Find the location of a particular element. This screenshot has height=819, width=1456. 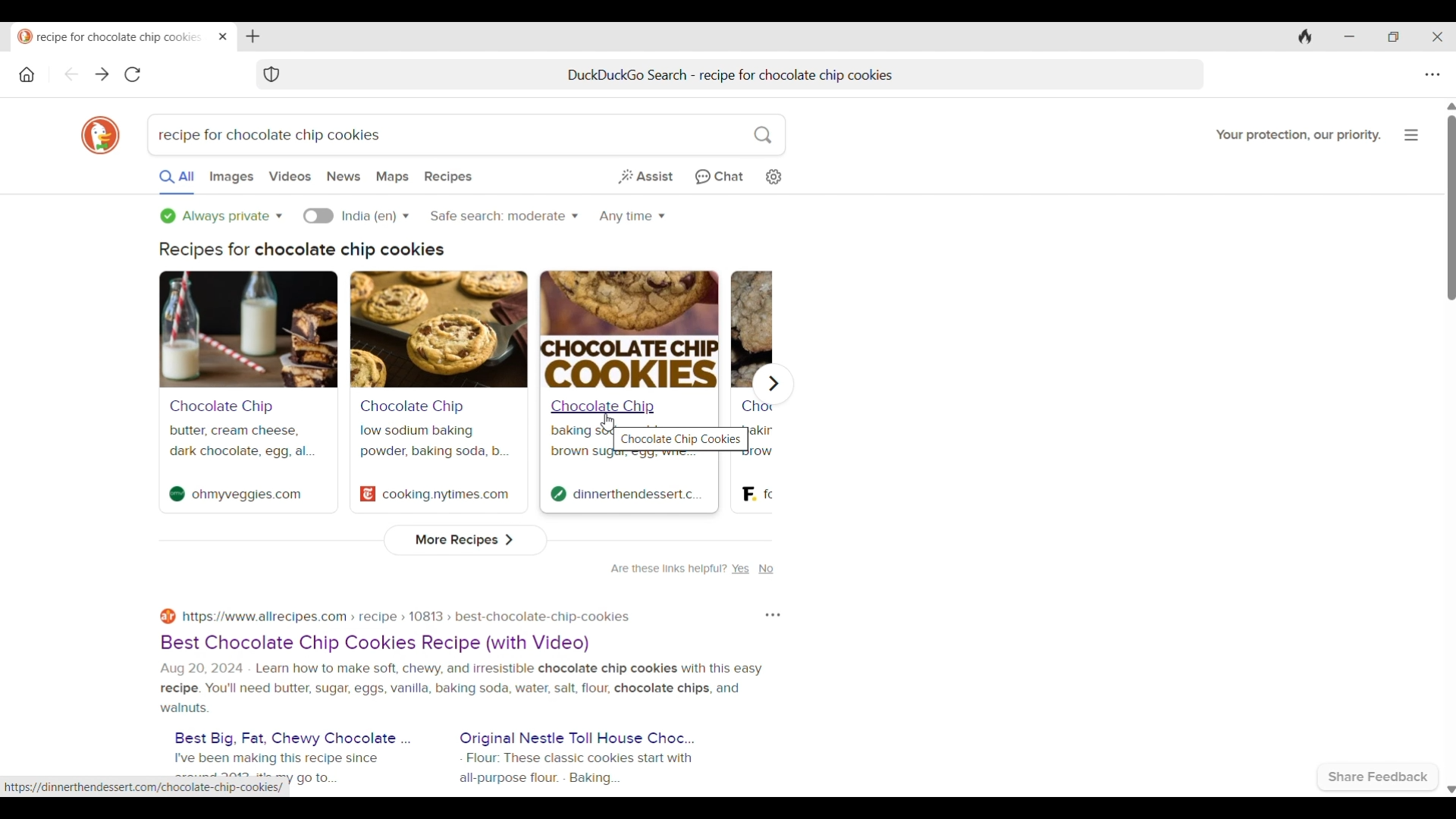

Go back is located at coordinates (71, 75).